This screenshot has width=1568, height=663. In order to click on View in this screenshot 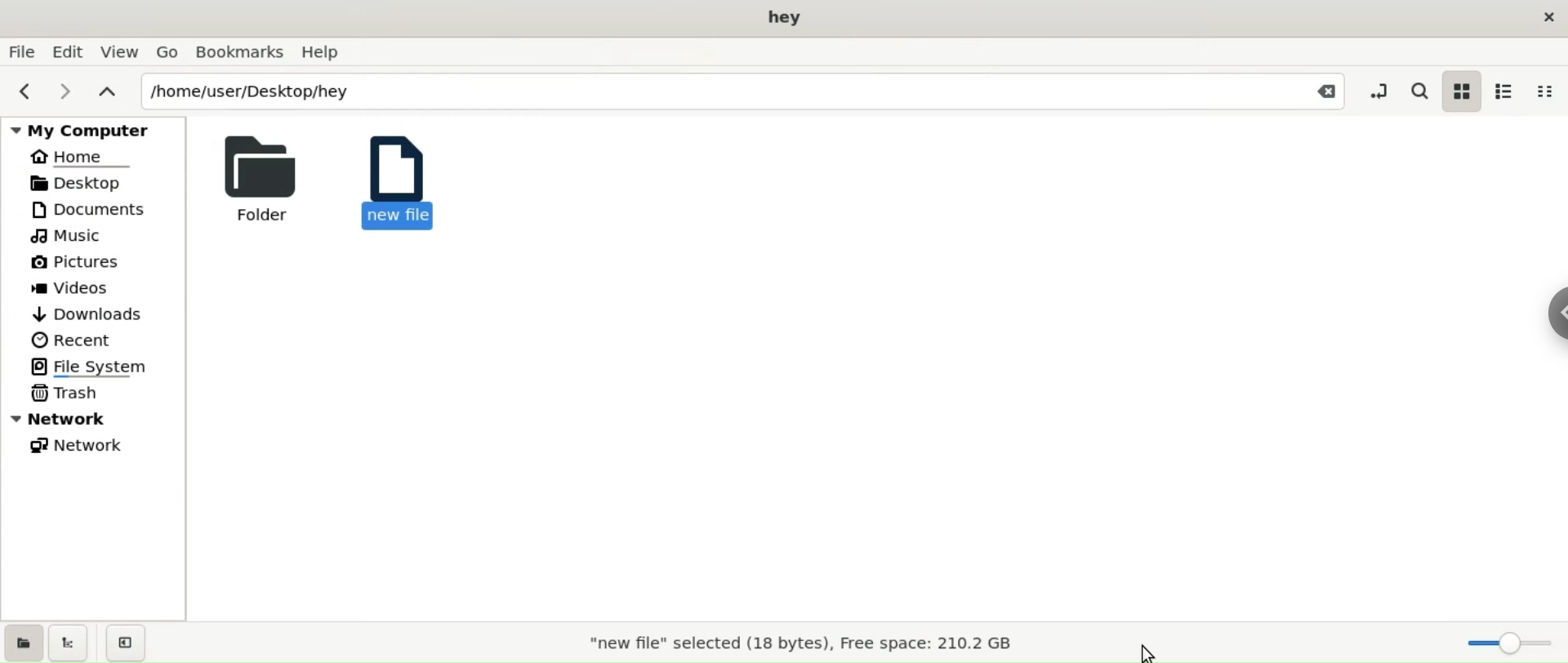, I will do `click(122, 54)`.